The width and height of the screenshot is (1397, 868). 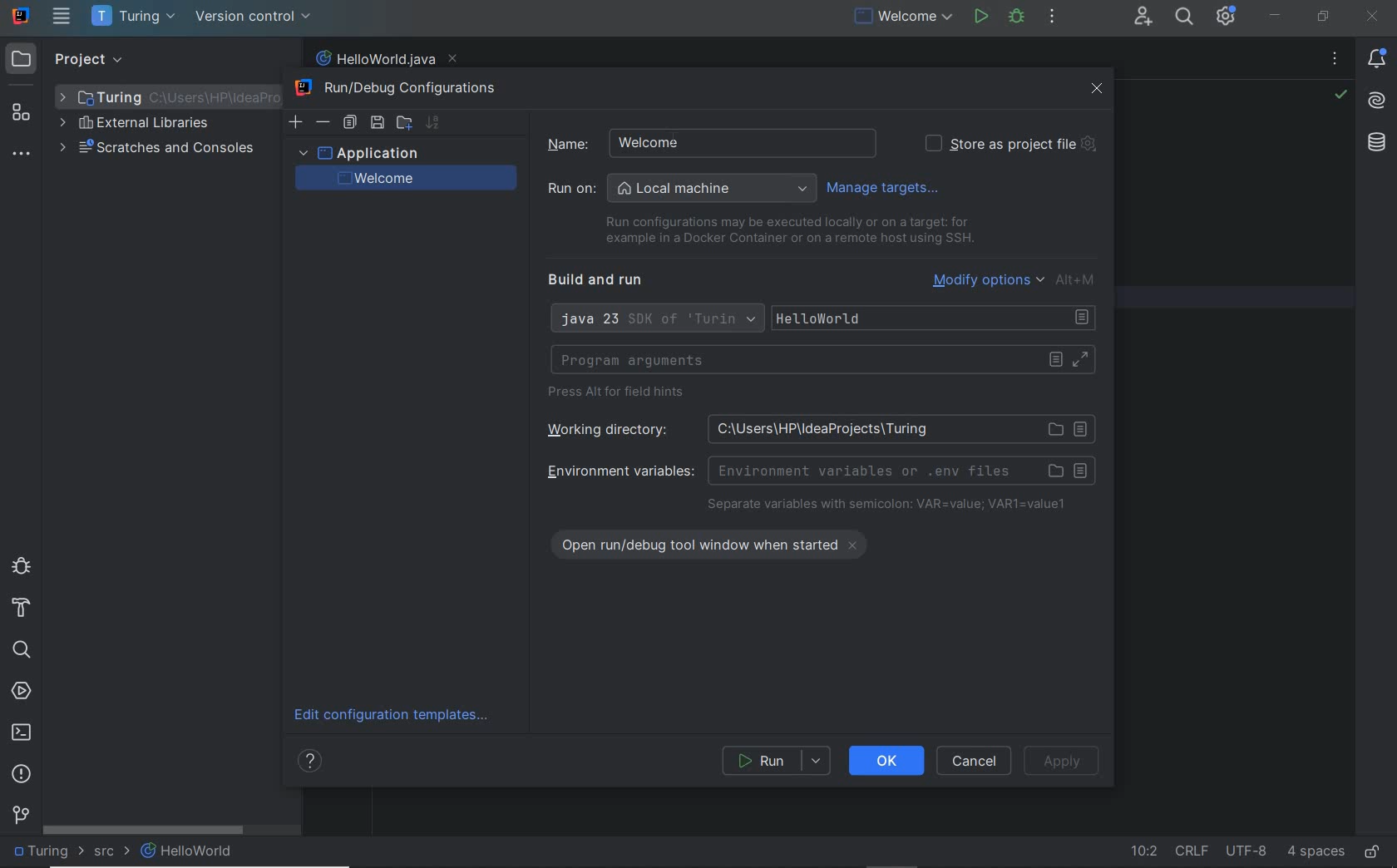 What do you see at coordinates (254, 17) in the screenshot?
I see `version control` at bounding box center [254, 17].